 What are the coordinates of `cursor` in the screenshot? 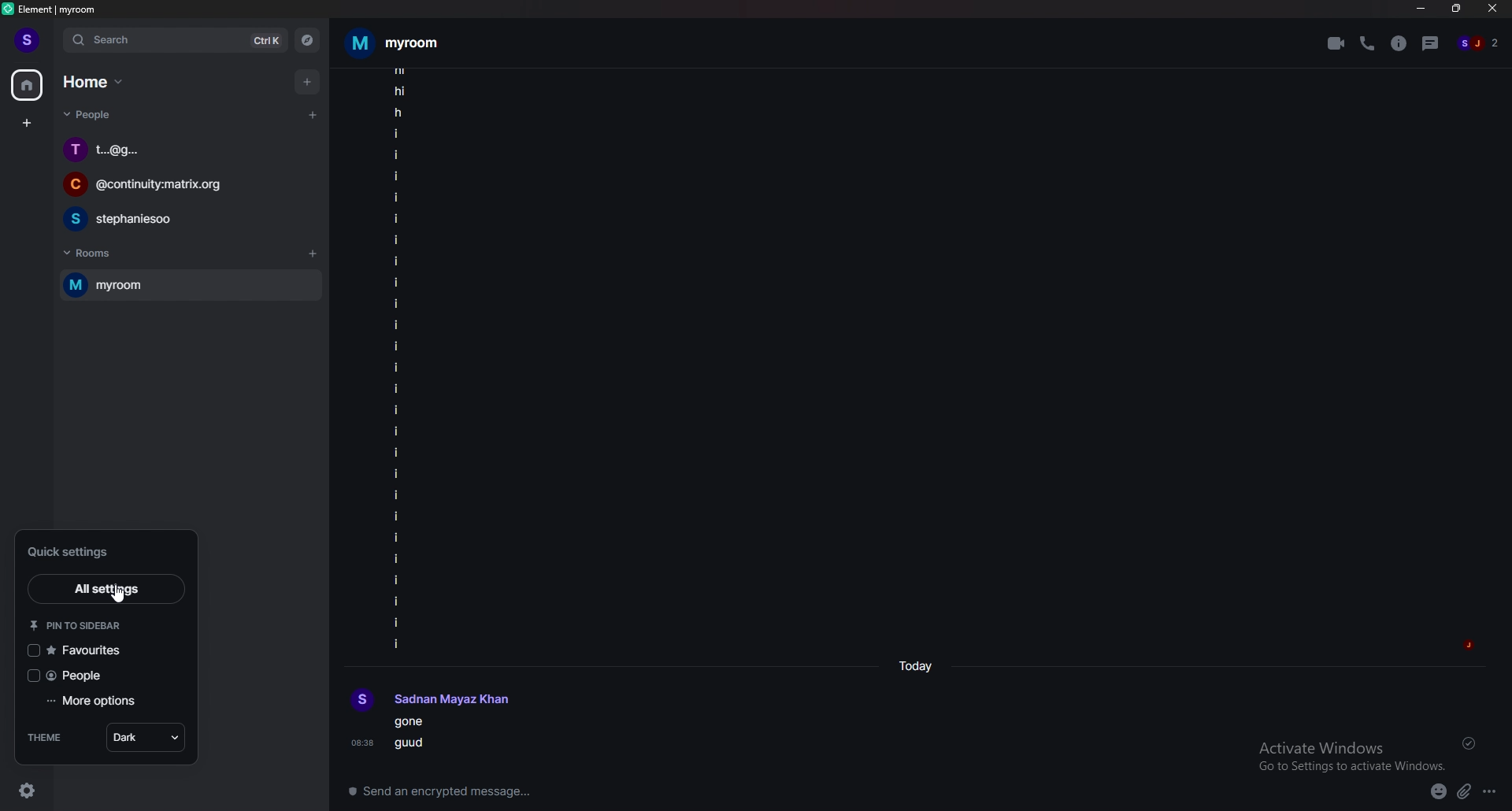 It's located at (121, 602).